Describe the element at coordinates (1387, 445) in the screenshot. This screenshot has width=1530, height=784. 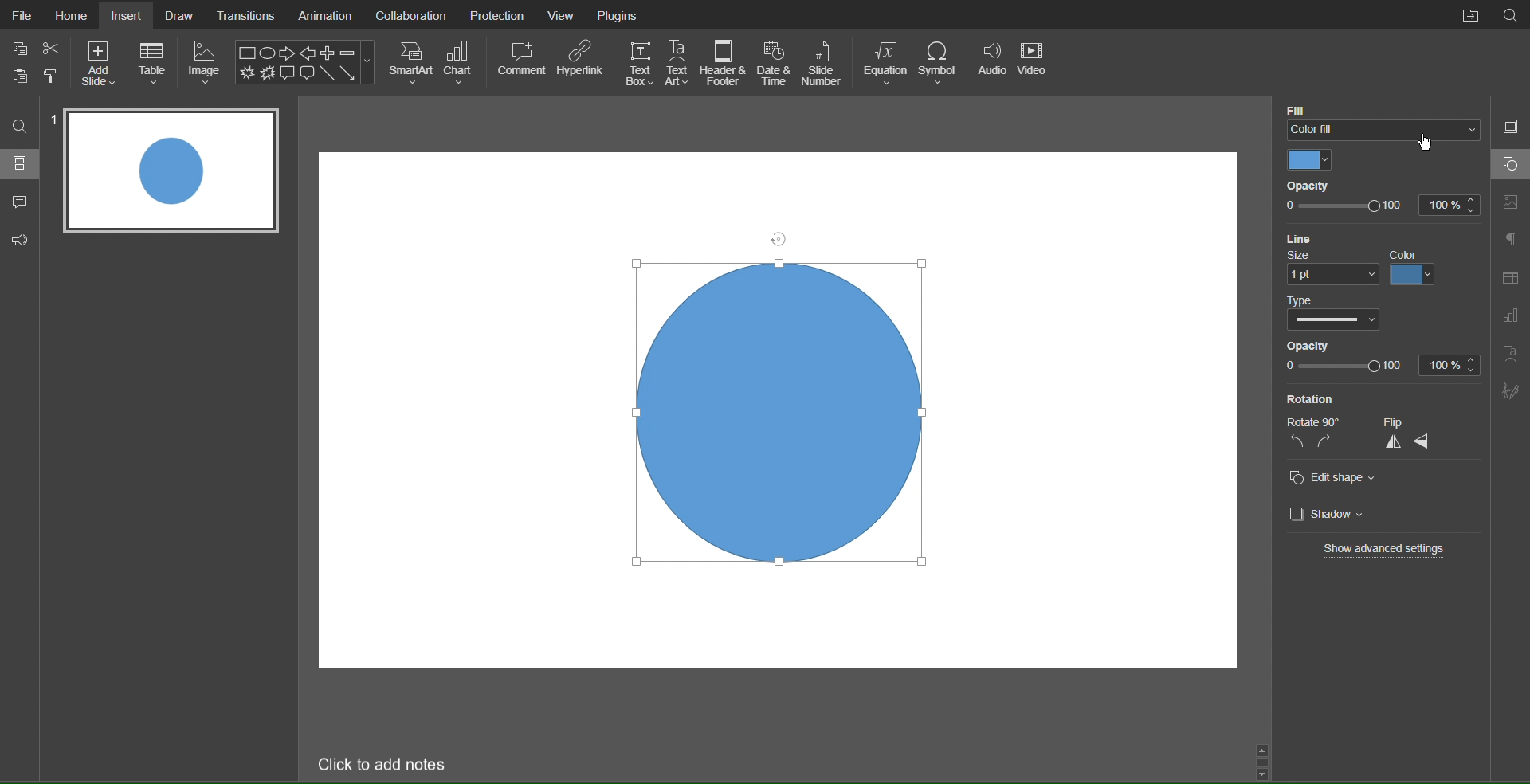
I see `flip up` at that location.